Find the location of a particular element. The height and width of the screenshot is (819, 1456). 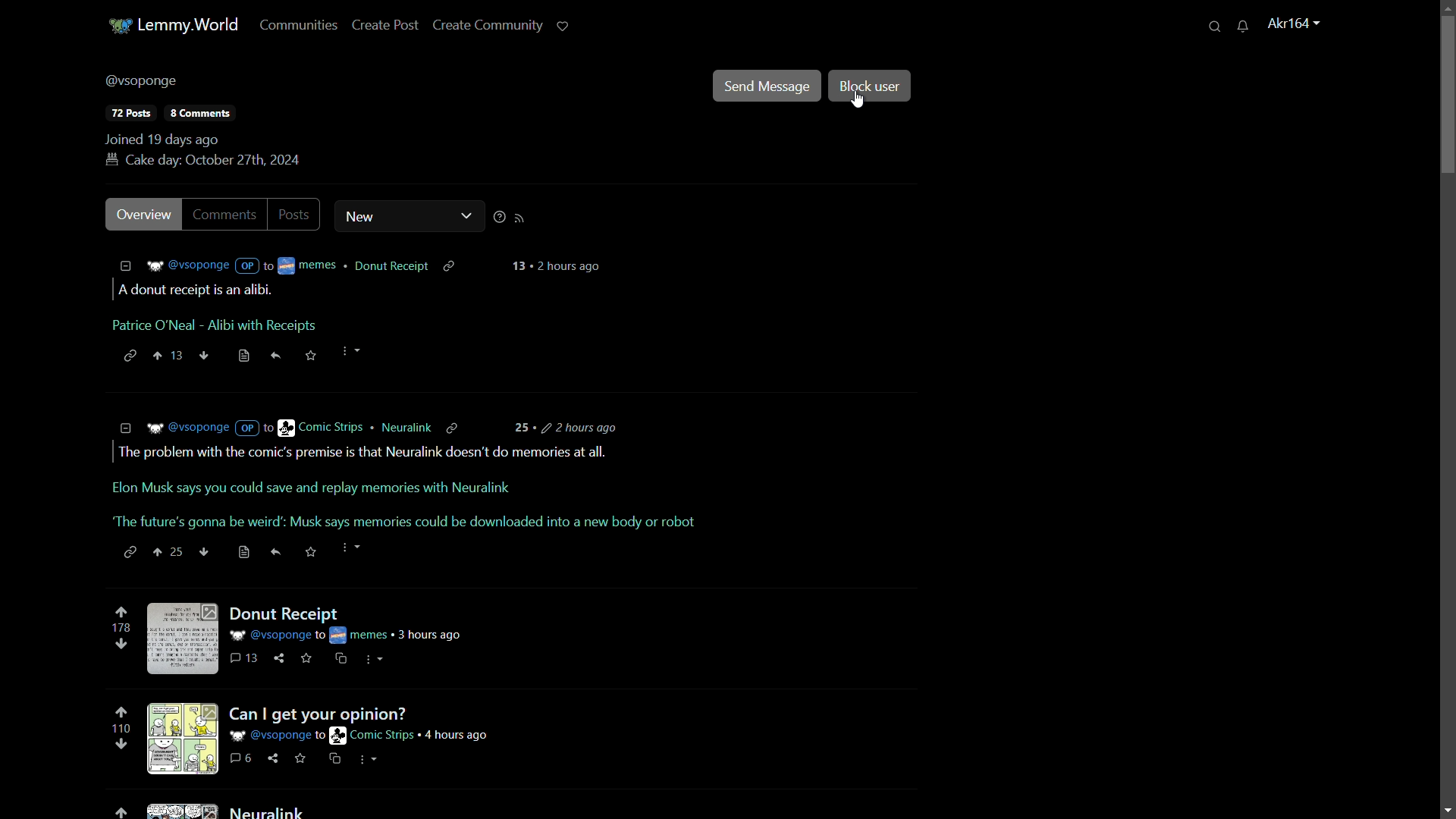

image is located at coordinates (182, 808).